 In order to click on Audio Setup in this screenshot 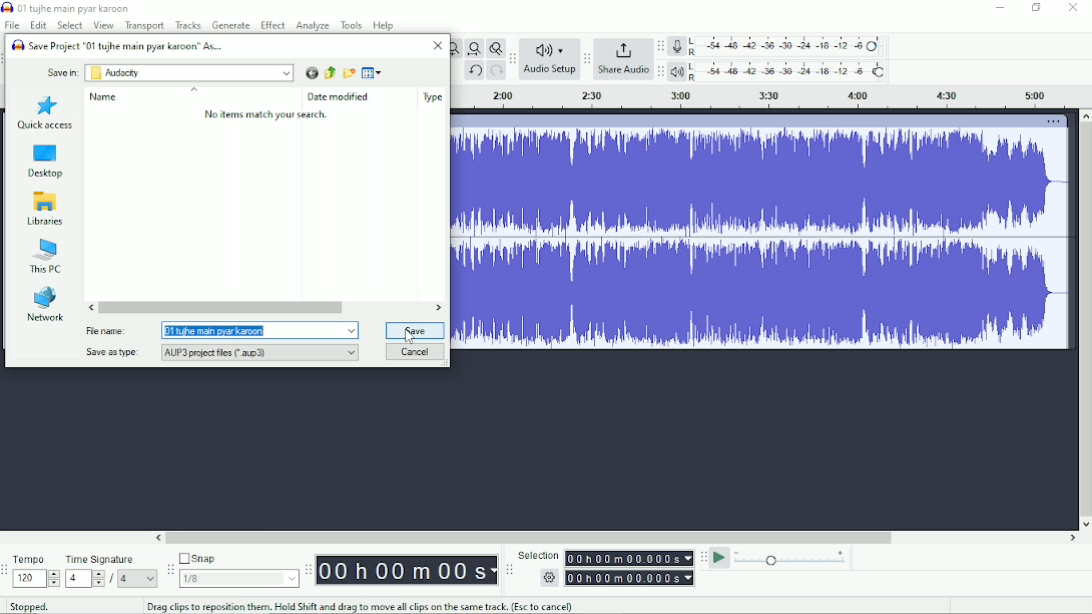, I will do `click(550, 58)`.